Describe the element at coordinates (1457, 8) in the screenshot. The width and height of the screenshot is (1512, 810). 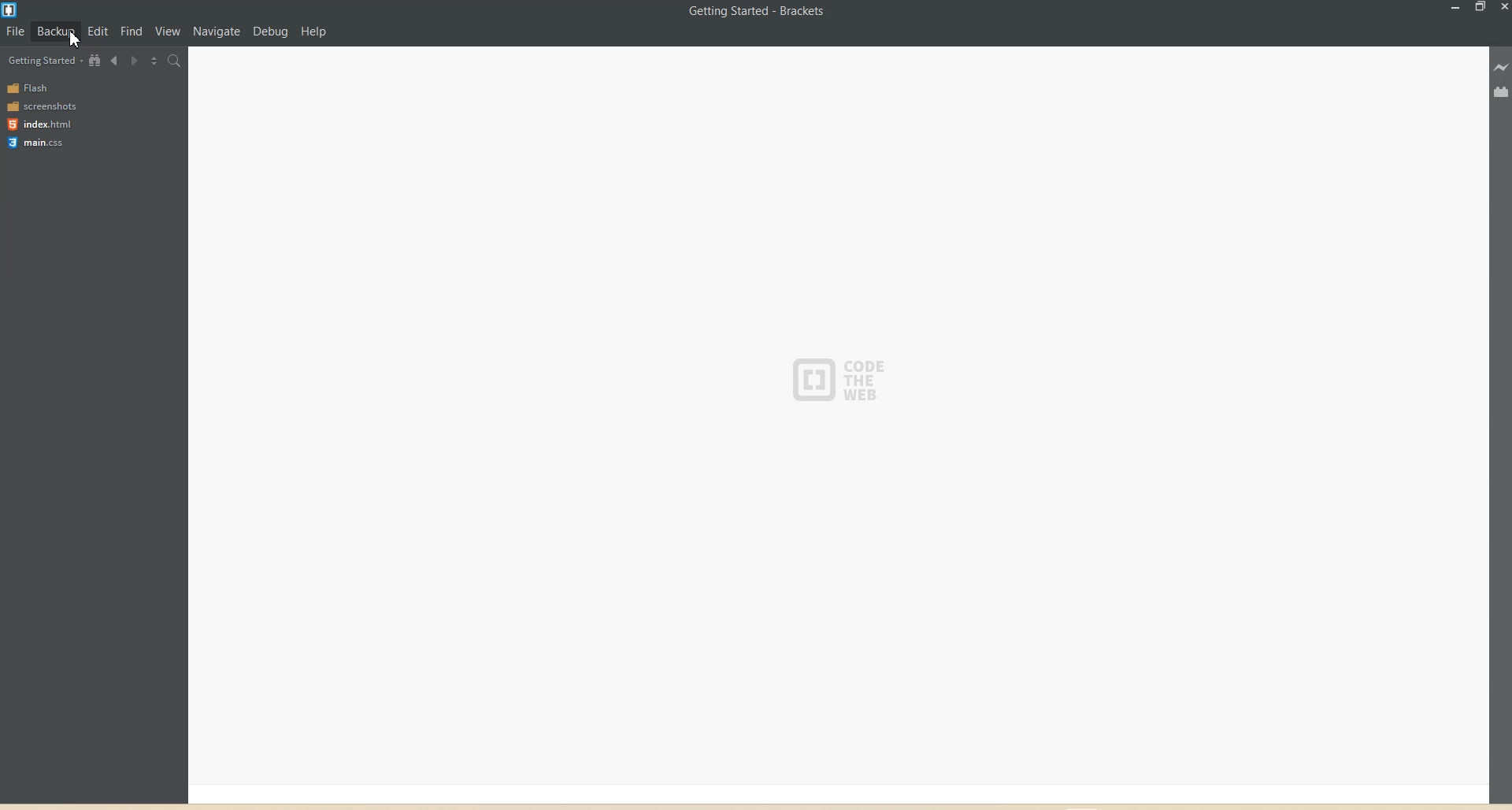
I see `Minimize` at that location.